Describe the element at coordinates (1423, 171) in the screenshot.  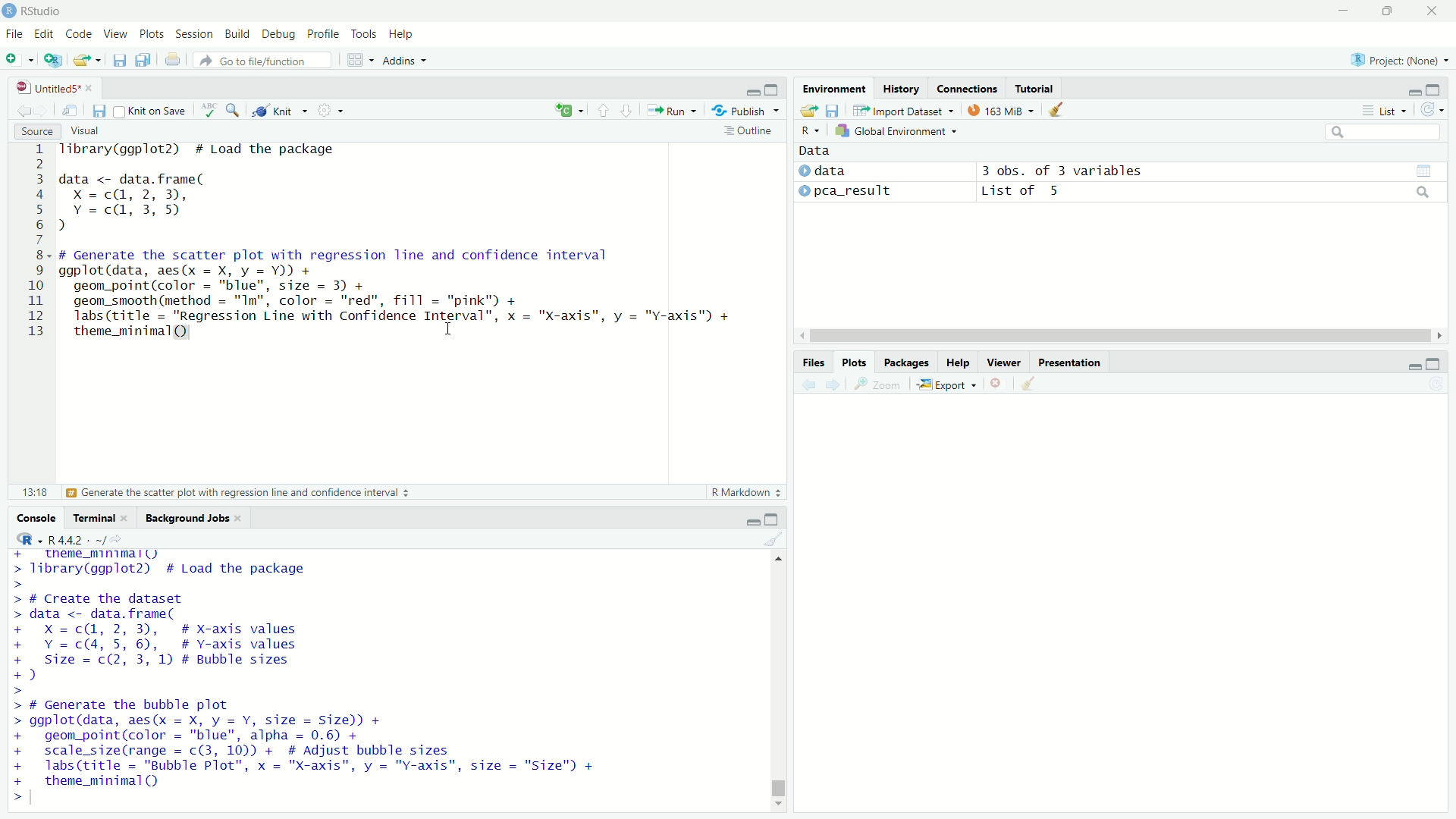
I see `grid` at that location.